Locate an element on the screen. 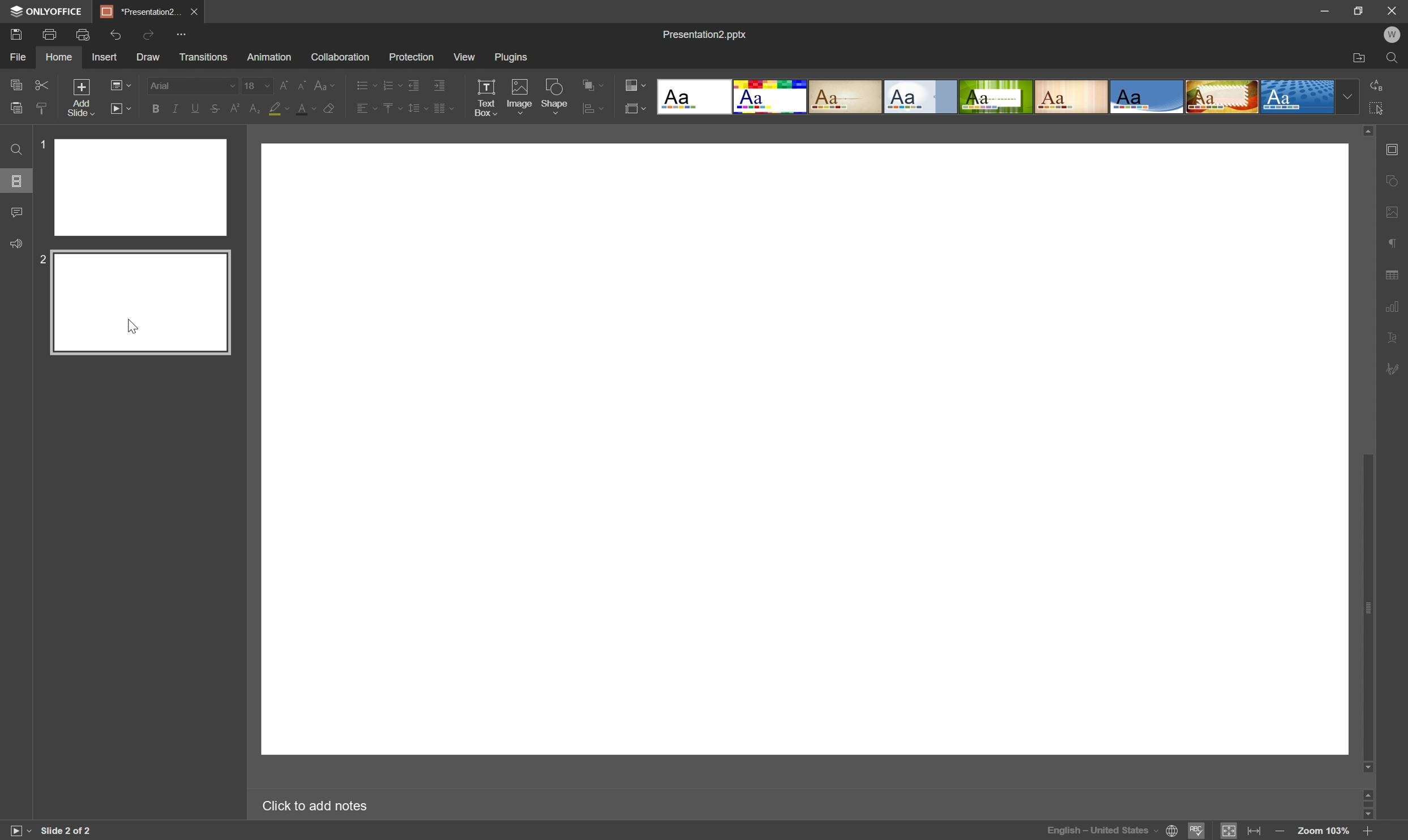  Bold is located at coordinates (155, 108).